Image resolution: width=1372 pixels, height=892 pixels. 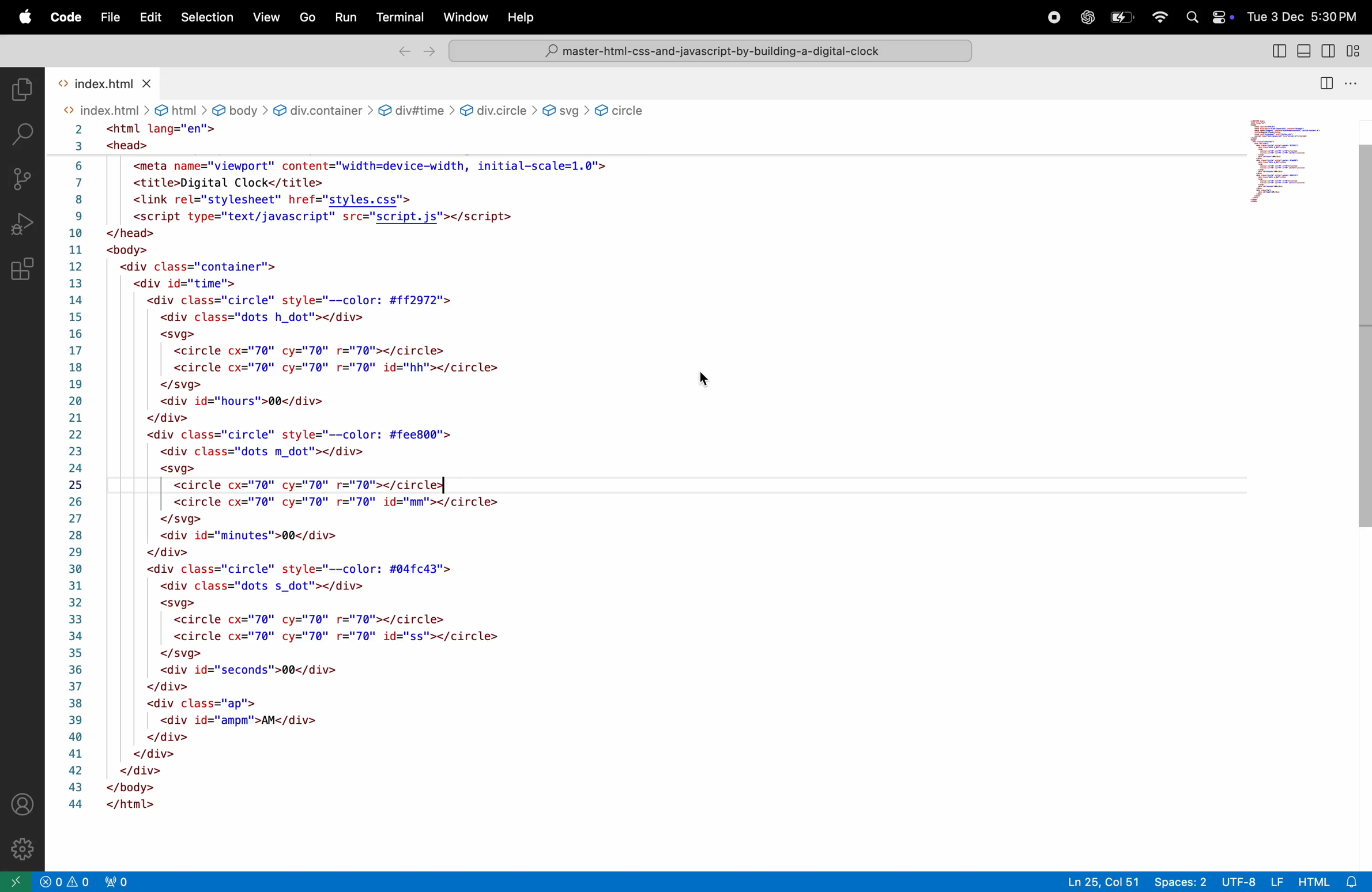 I want to click on waiting or second chord, so click(x=337, y=882).